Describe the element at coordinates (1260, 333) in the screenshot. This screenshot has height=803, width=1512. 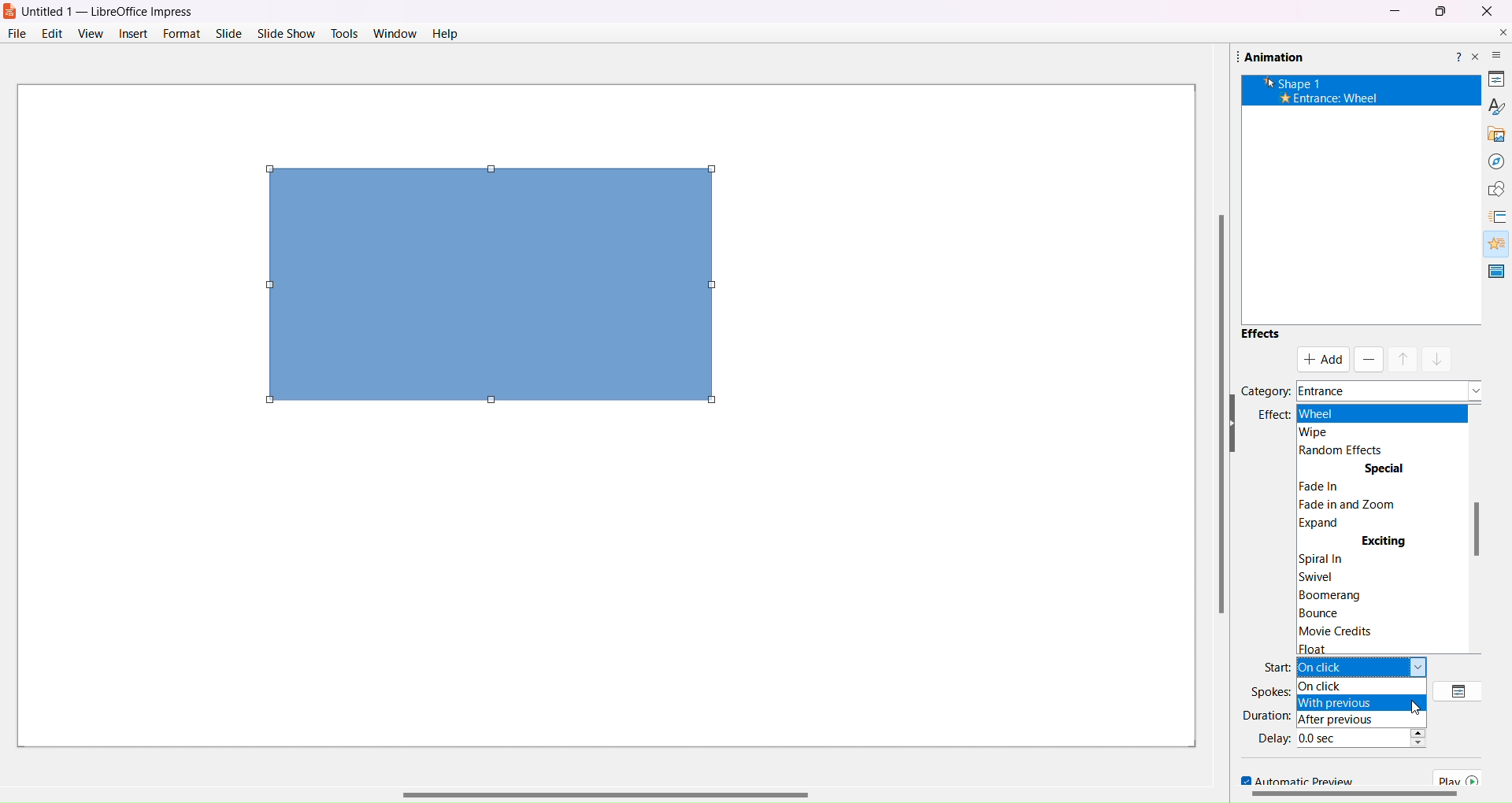
I see `Effects` at that location.